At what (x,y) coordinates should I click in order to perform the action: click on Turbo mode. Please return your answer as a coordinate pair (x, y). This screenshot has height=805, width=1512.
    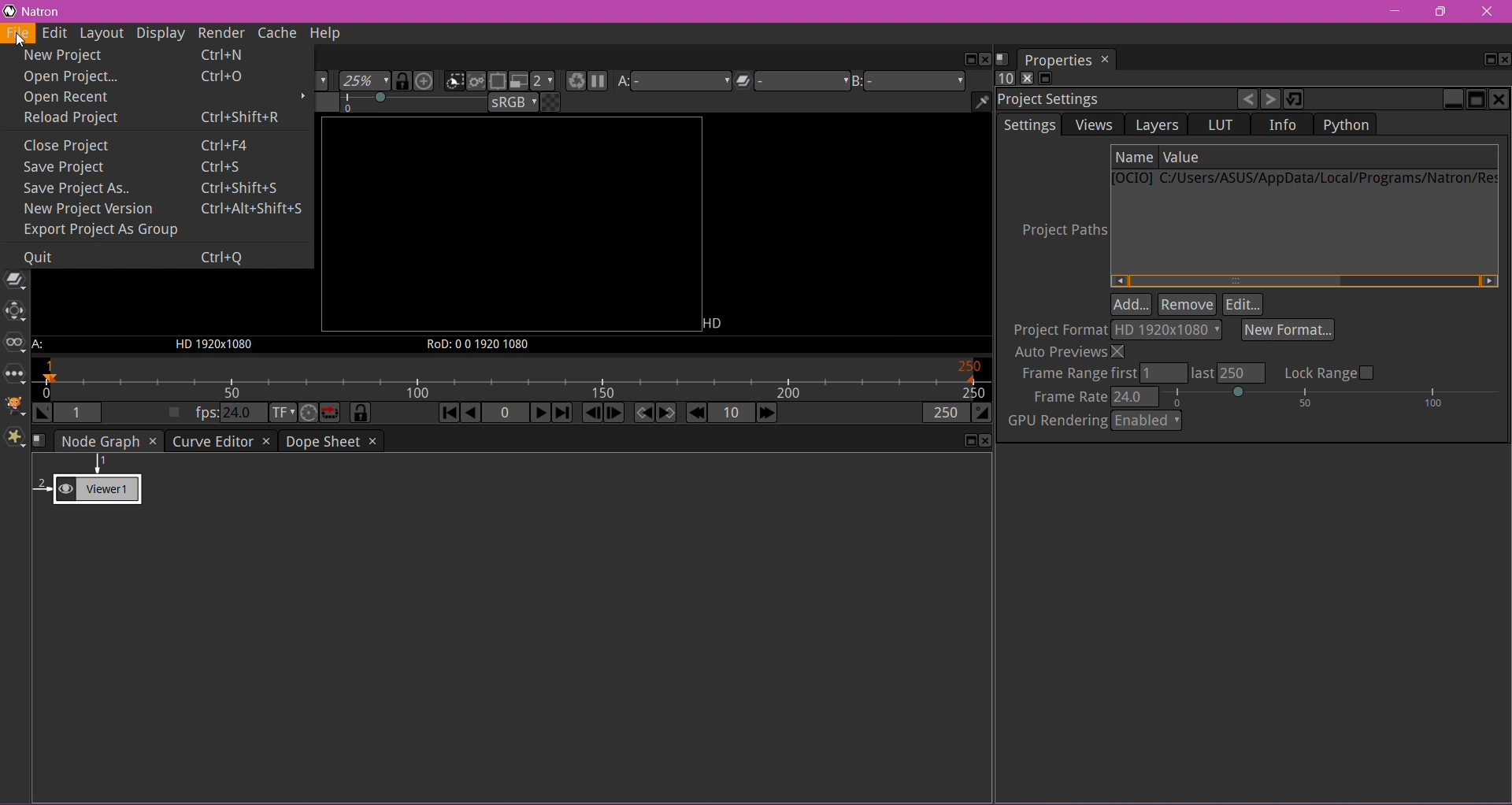
    Looking at the image, I should click on (308, 414).